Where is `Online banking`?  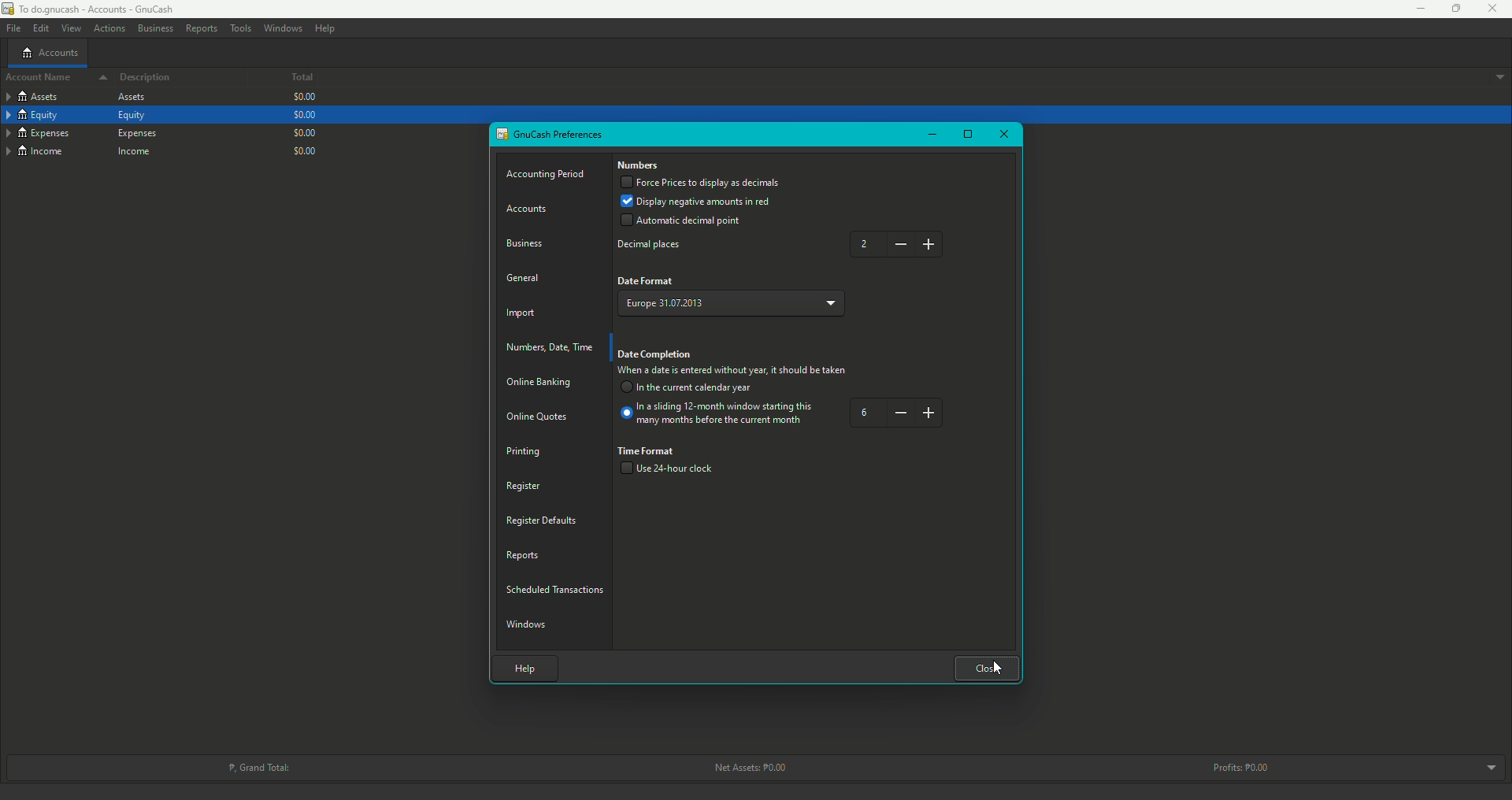 Online banking is located at coordinates (539, 385).